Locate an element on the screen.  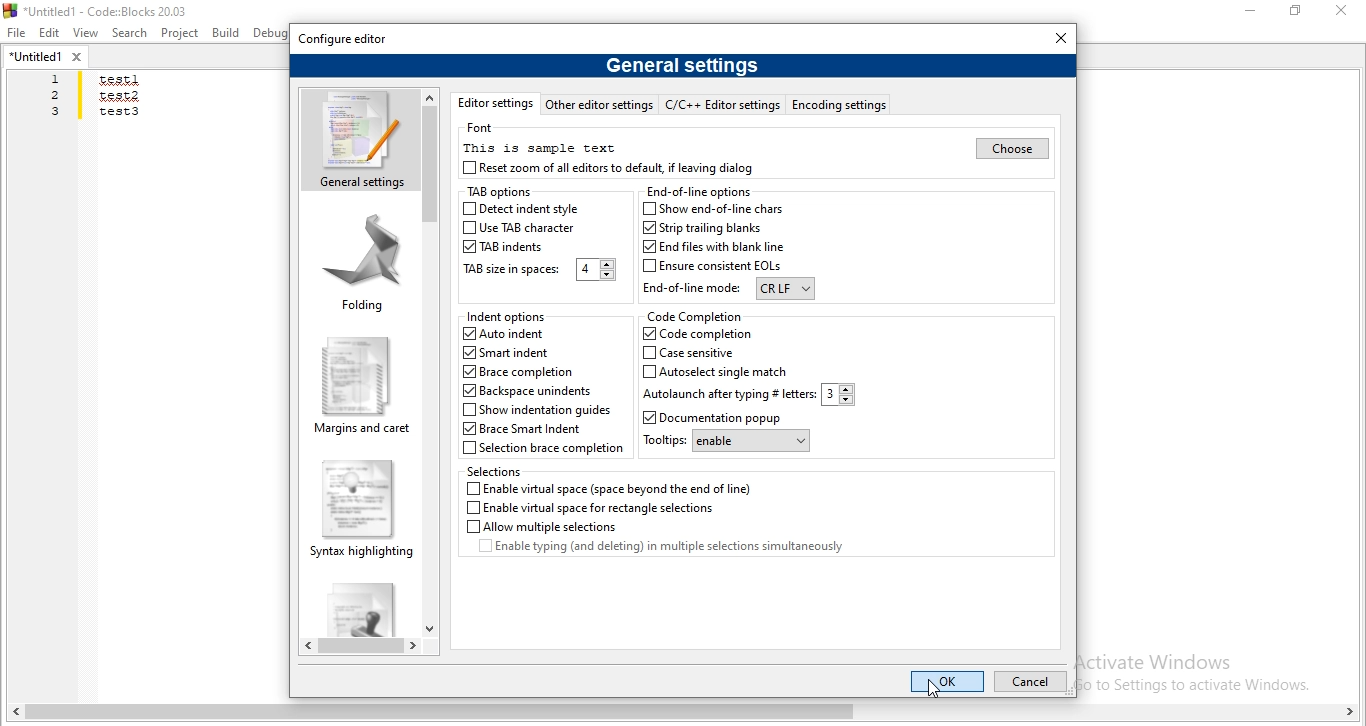
Brace Smart Indent is located at coordinates (527, 430).